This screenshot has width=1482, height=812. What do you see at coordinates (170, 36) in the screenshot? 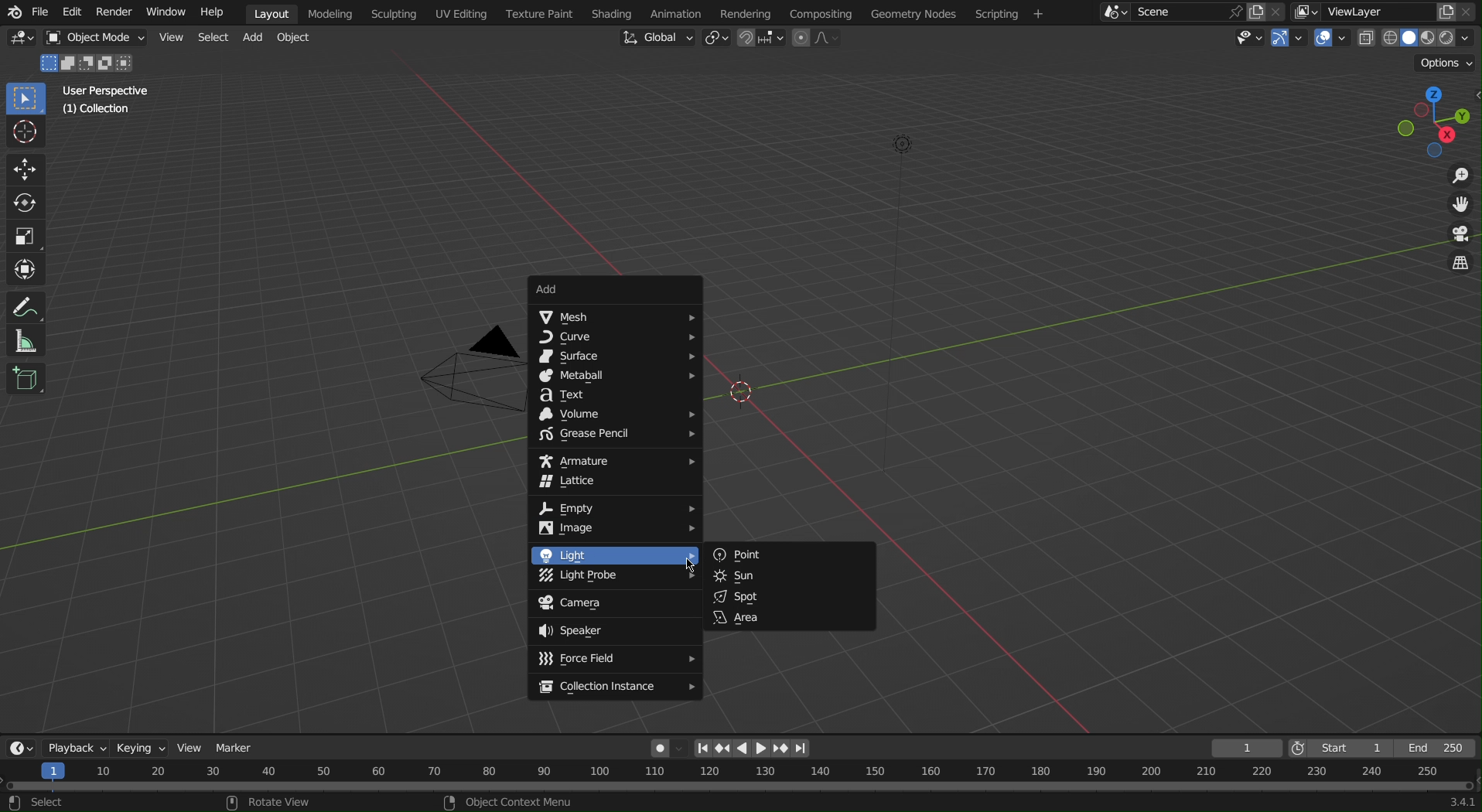
I see `View` at bounding box center [170, 36].